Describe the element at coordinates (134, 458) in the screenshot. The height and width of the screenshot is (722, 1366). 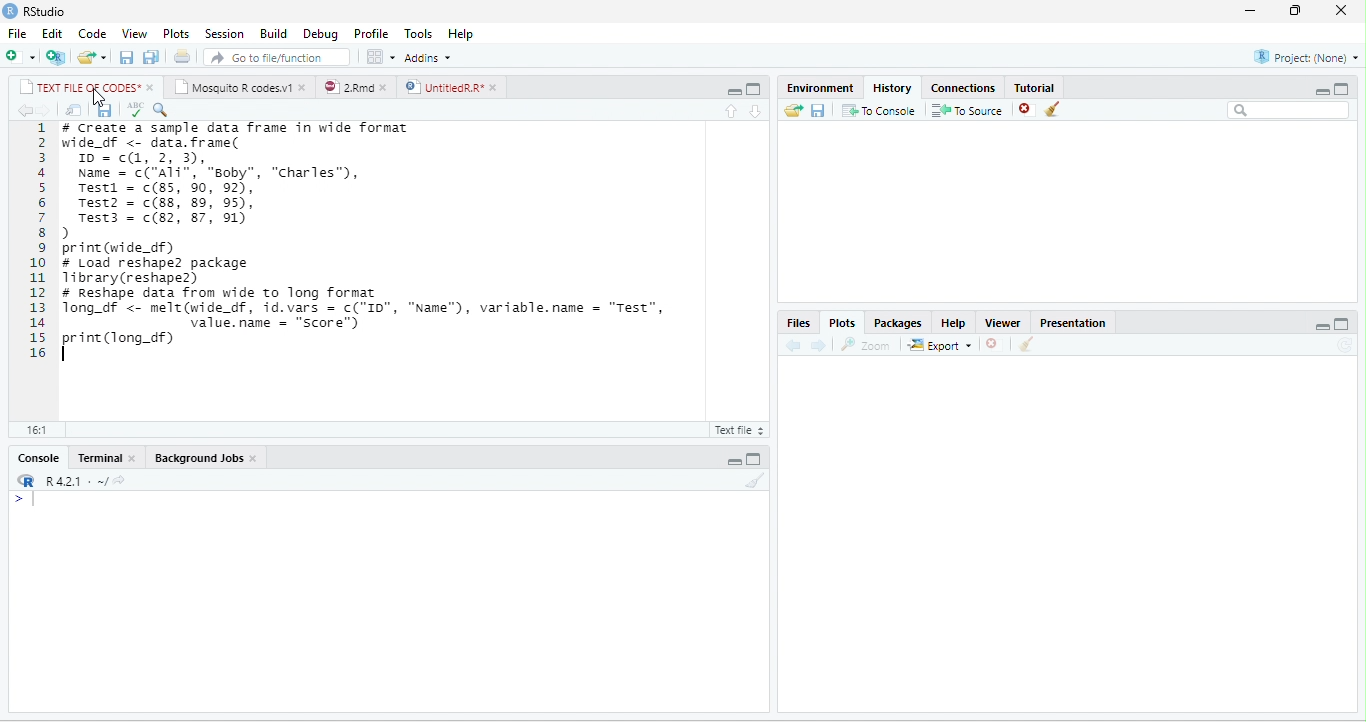
I see `close` at that location.